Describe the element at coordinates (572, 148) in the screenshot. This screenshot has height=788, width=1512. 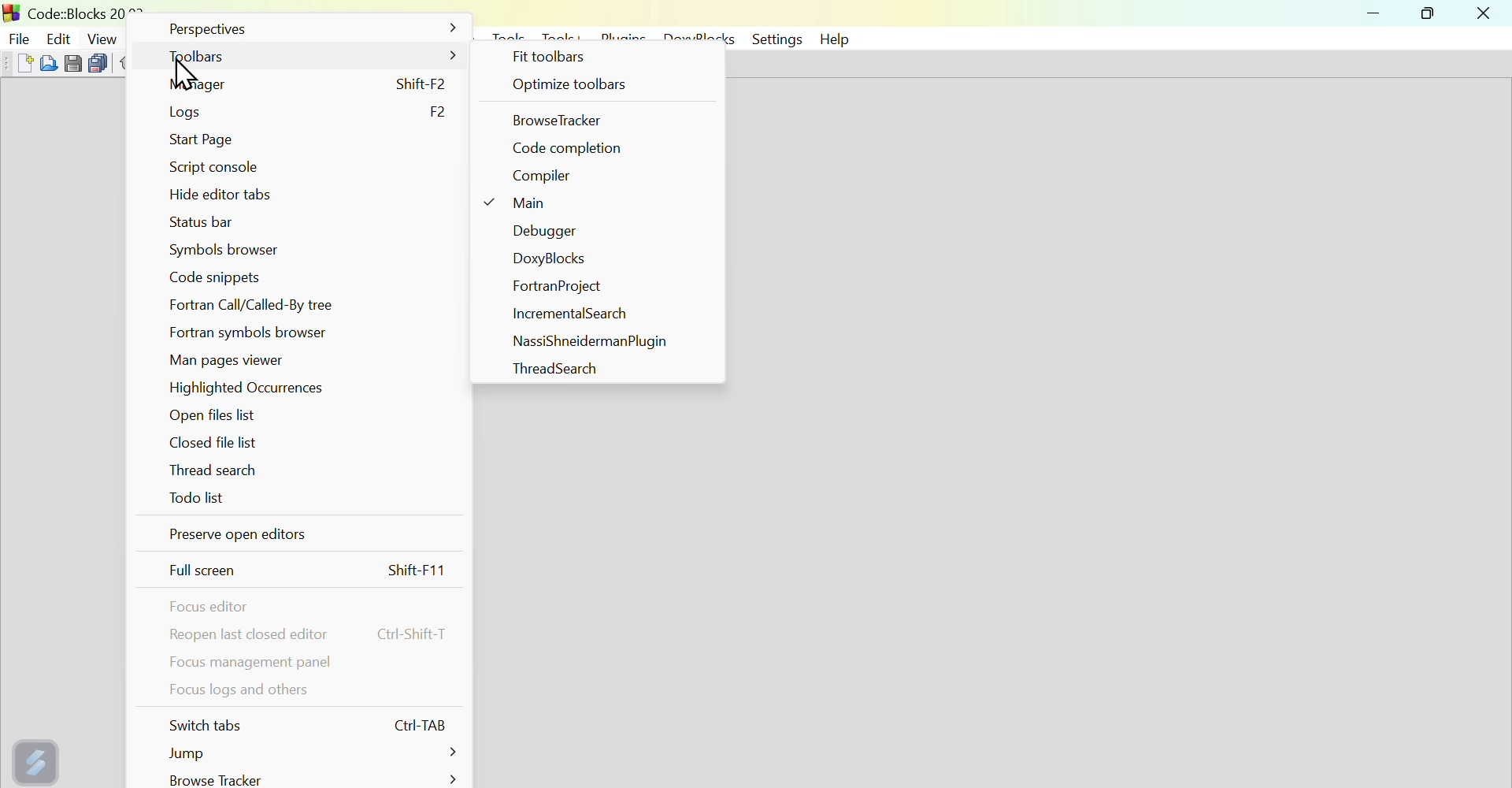
I see `Code completion` at that location.